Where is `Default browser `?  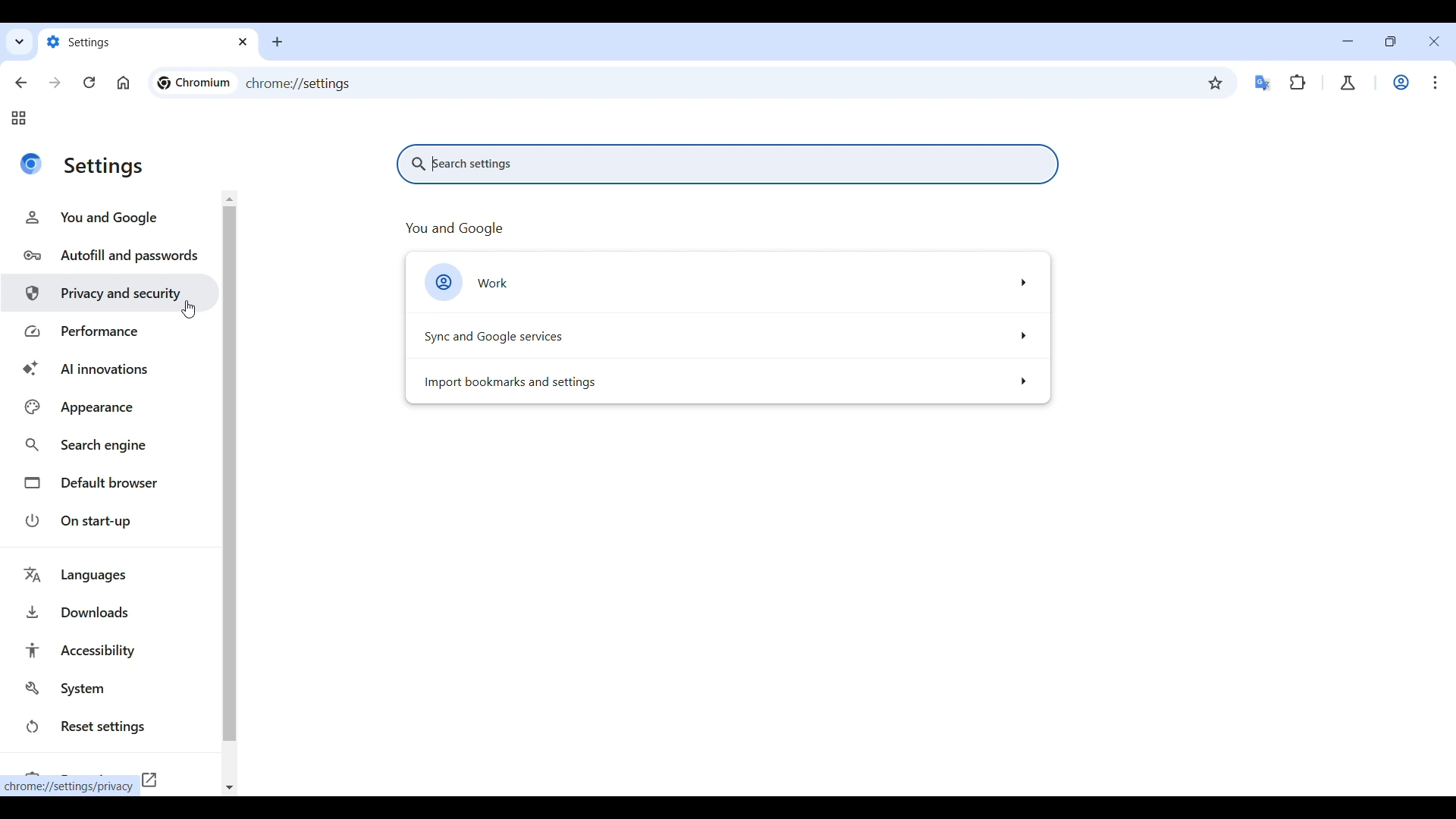 Default browser  is located at coordinates (112, 483).